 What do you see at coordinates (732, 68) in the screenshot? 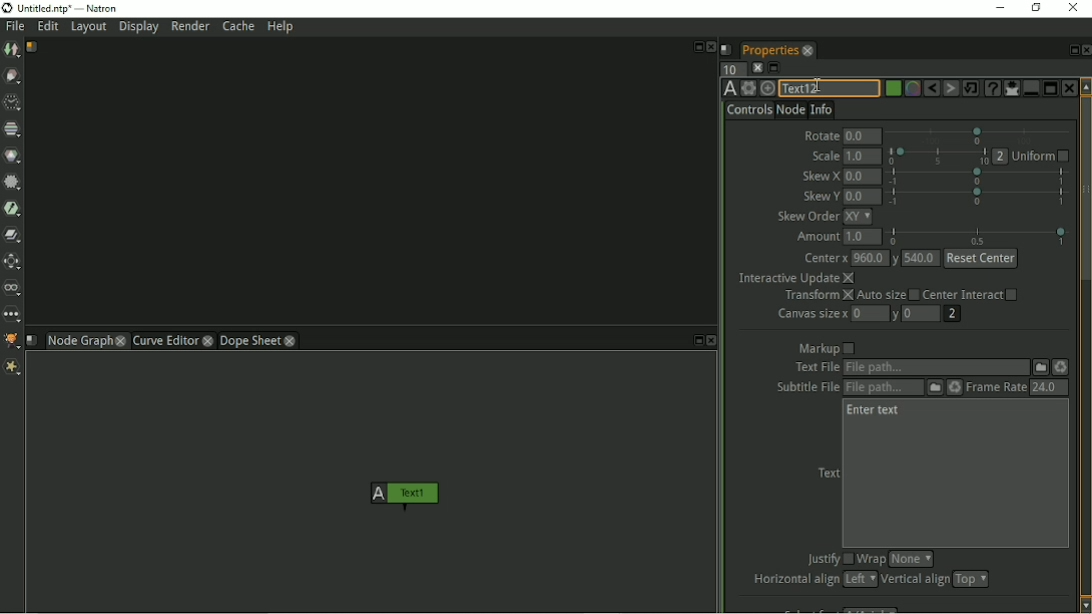
I see `Maximum number of panels` at bounding box center [732, 68].